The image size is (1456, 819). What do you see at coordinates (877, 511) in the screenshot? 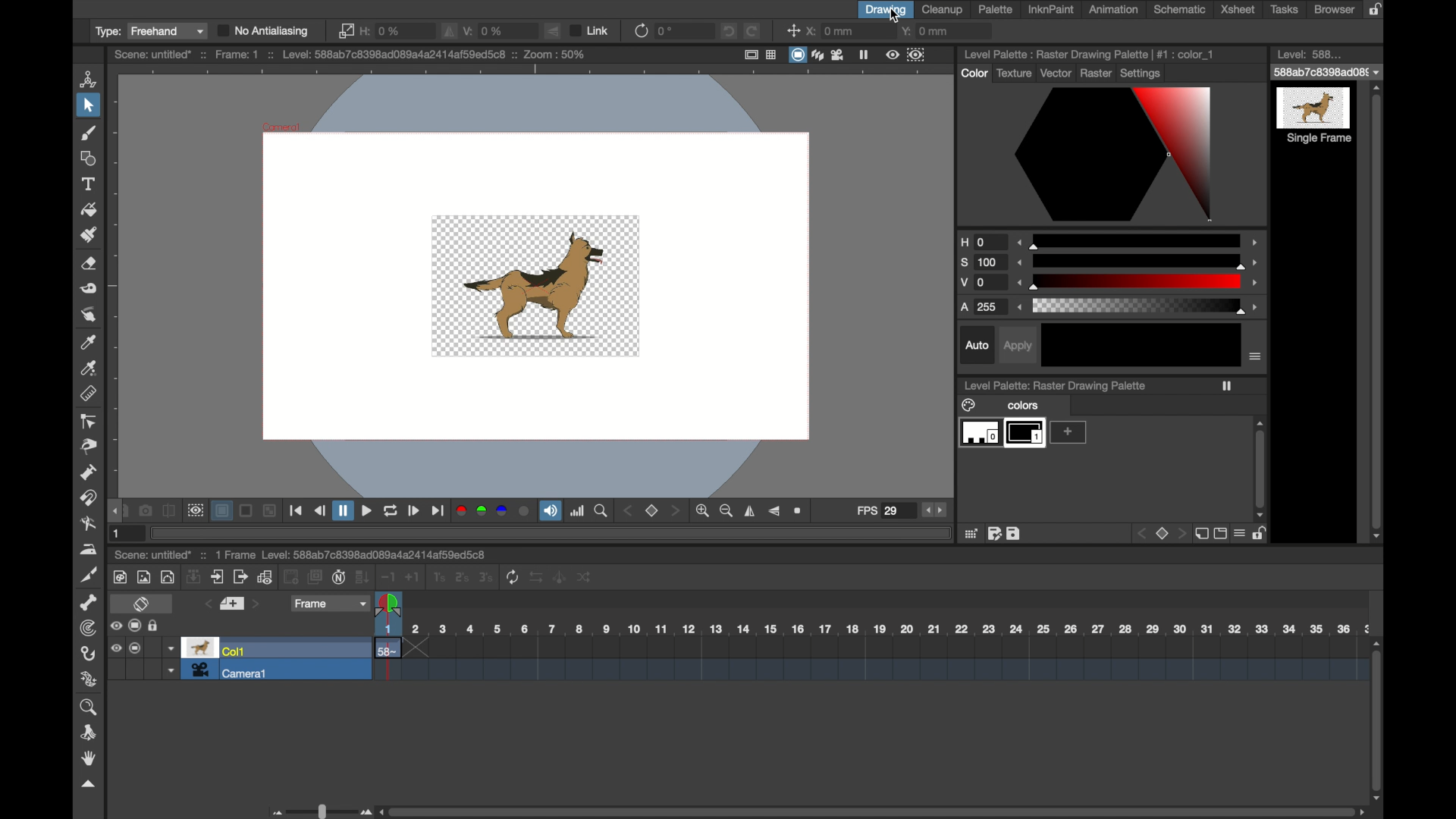
I see `fps` at bounding box center [877, 511].